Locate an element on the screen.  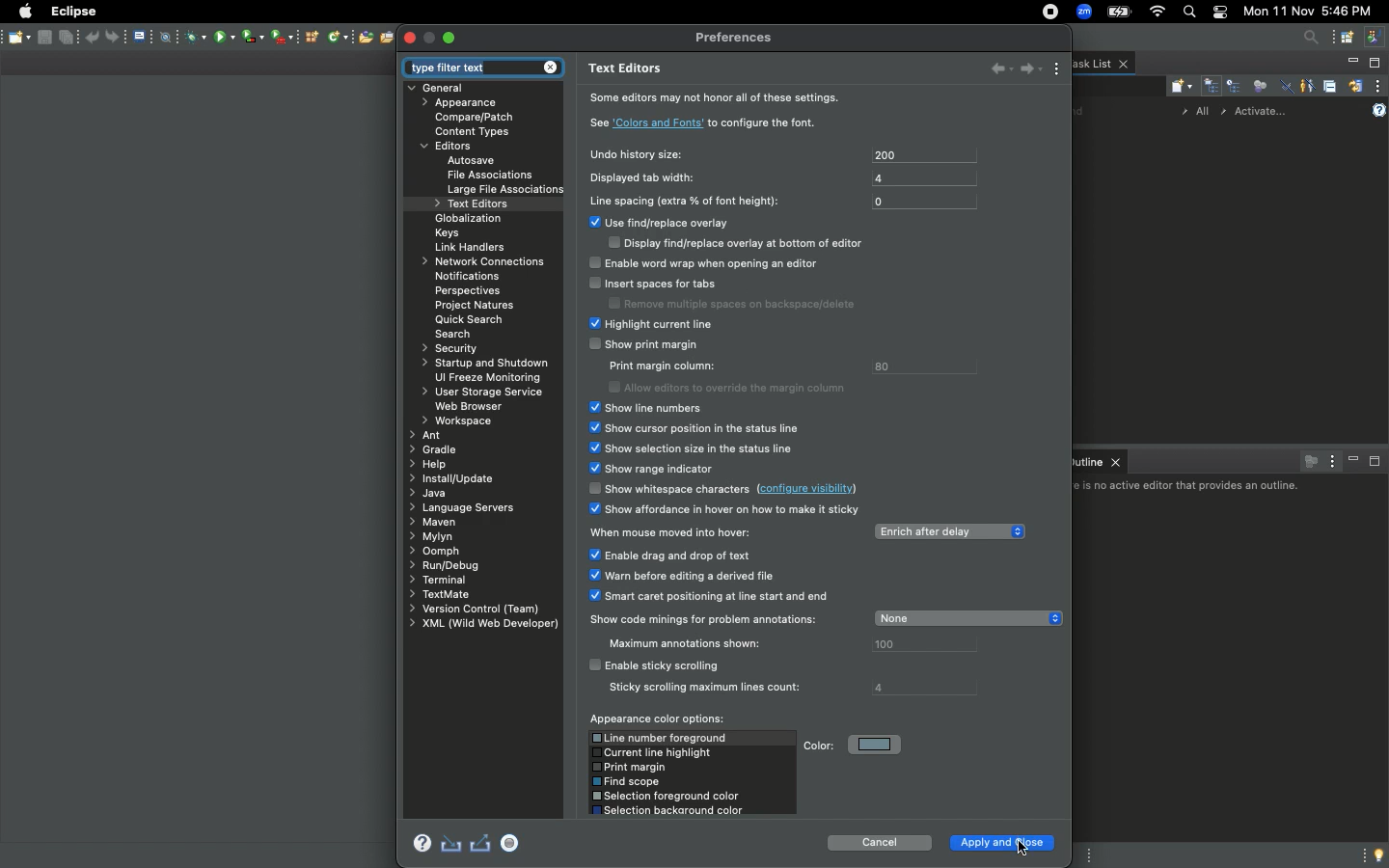
Date/time is located at coordinates (1314, 12).